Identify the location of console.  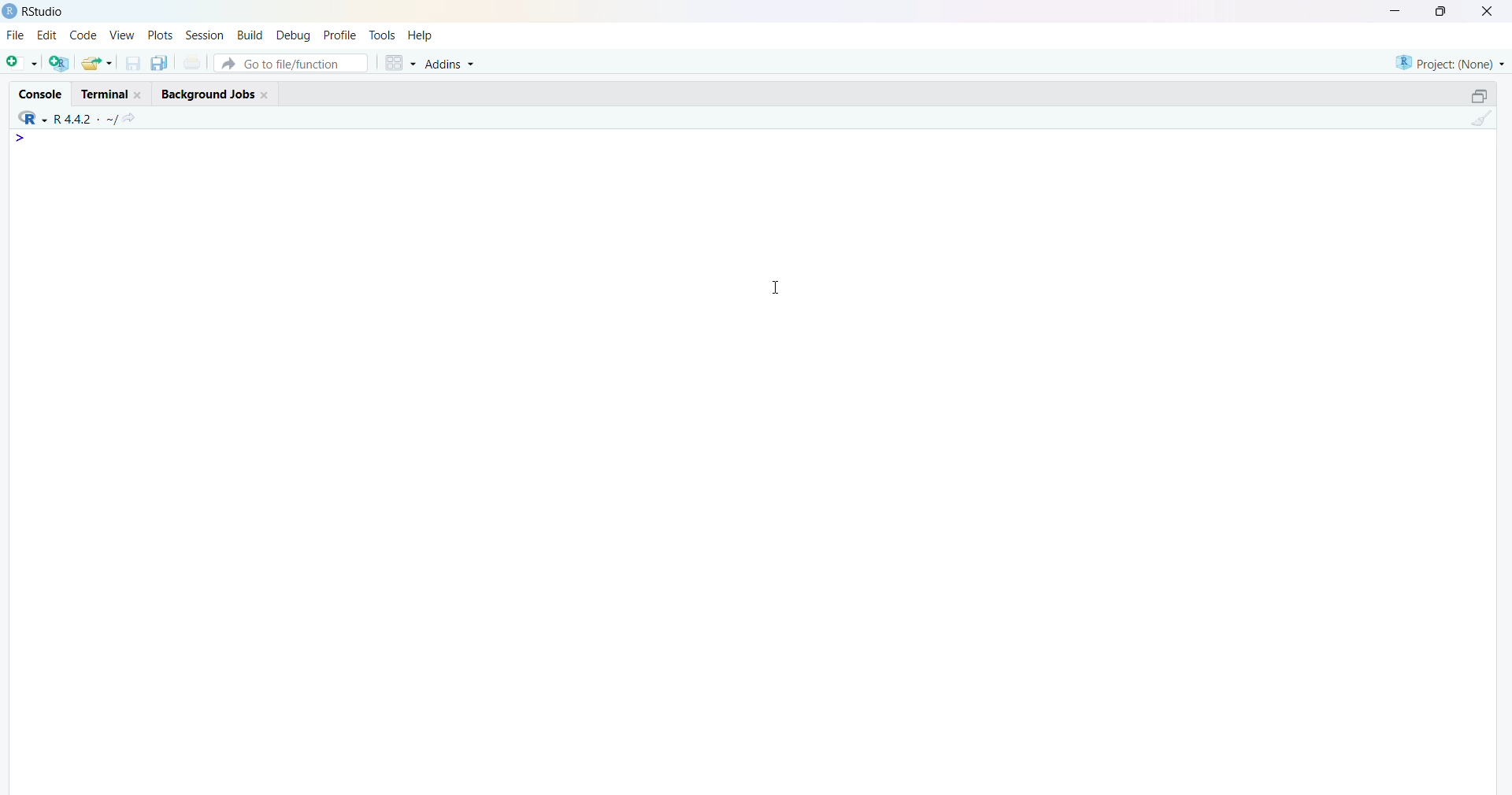
(42, 94).